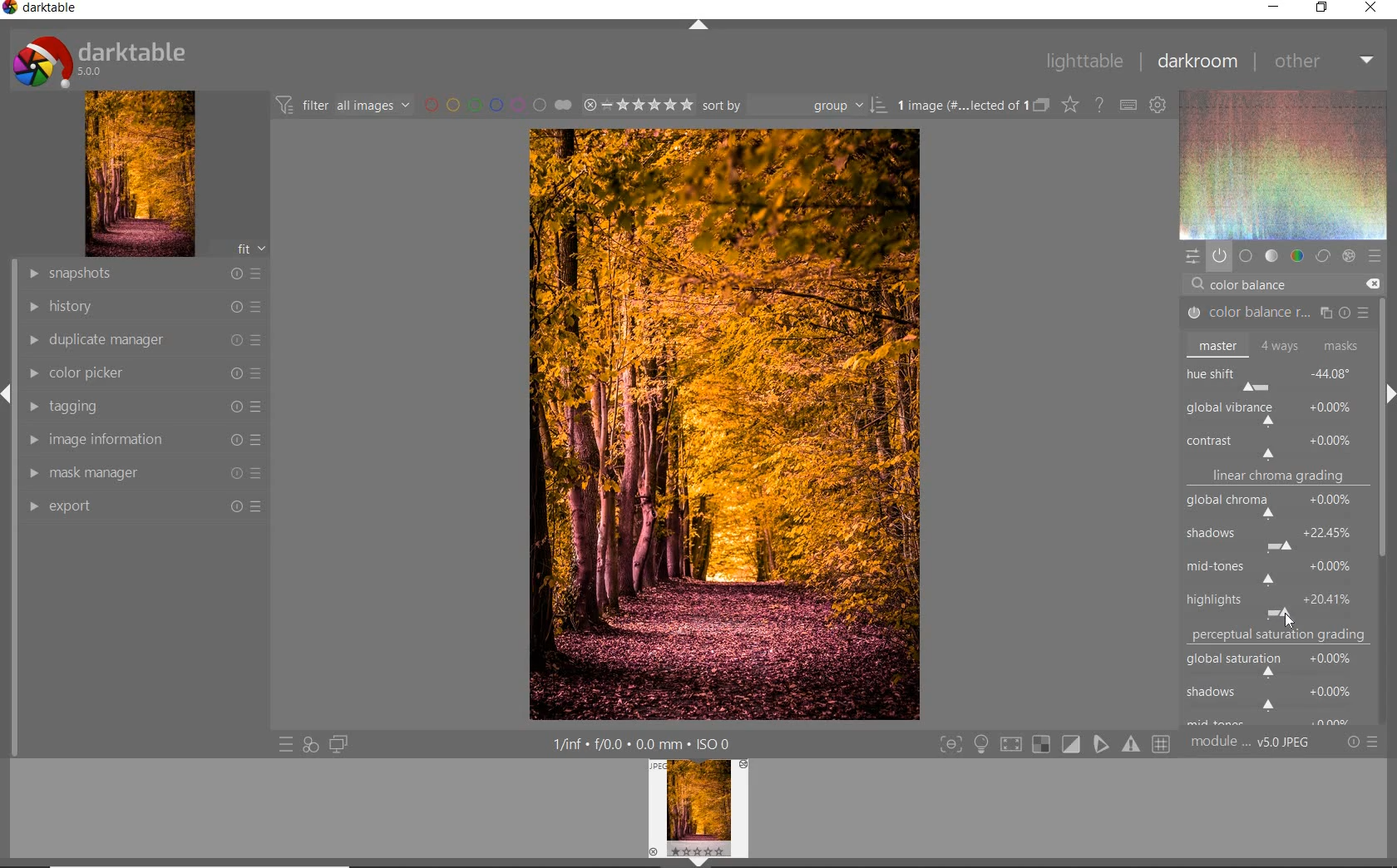 The width and height of the screenshot is (1397, 868). What do you see at coordinates (1041, 106) in the screenshot?
I see `collapse grouped image` at bounding box center [1041, 106].